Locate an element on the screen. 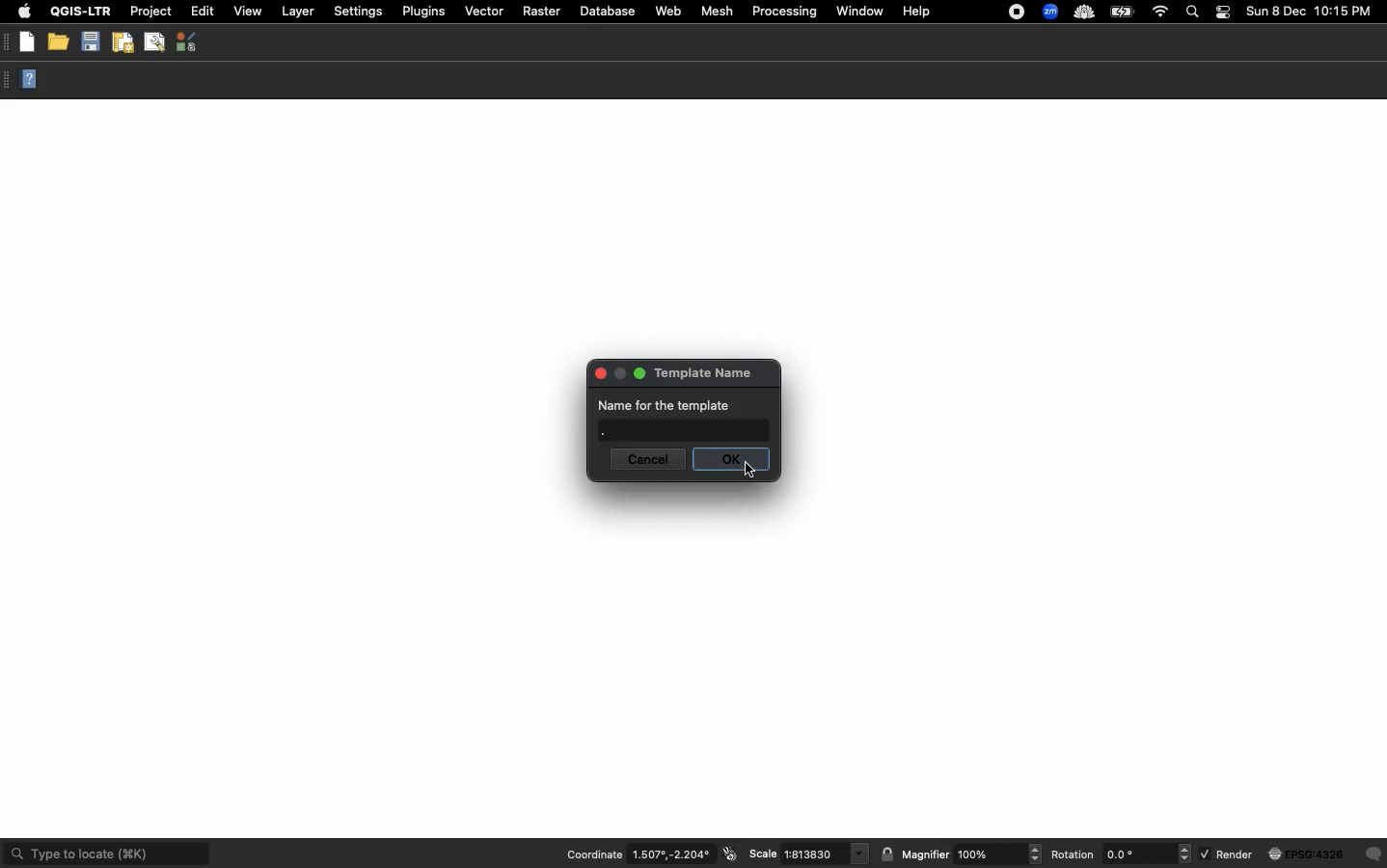  OK is located at coordinates (731, 459).